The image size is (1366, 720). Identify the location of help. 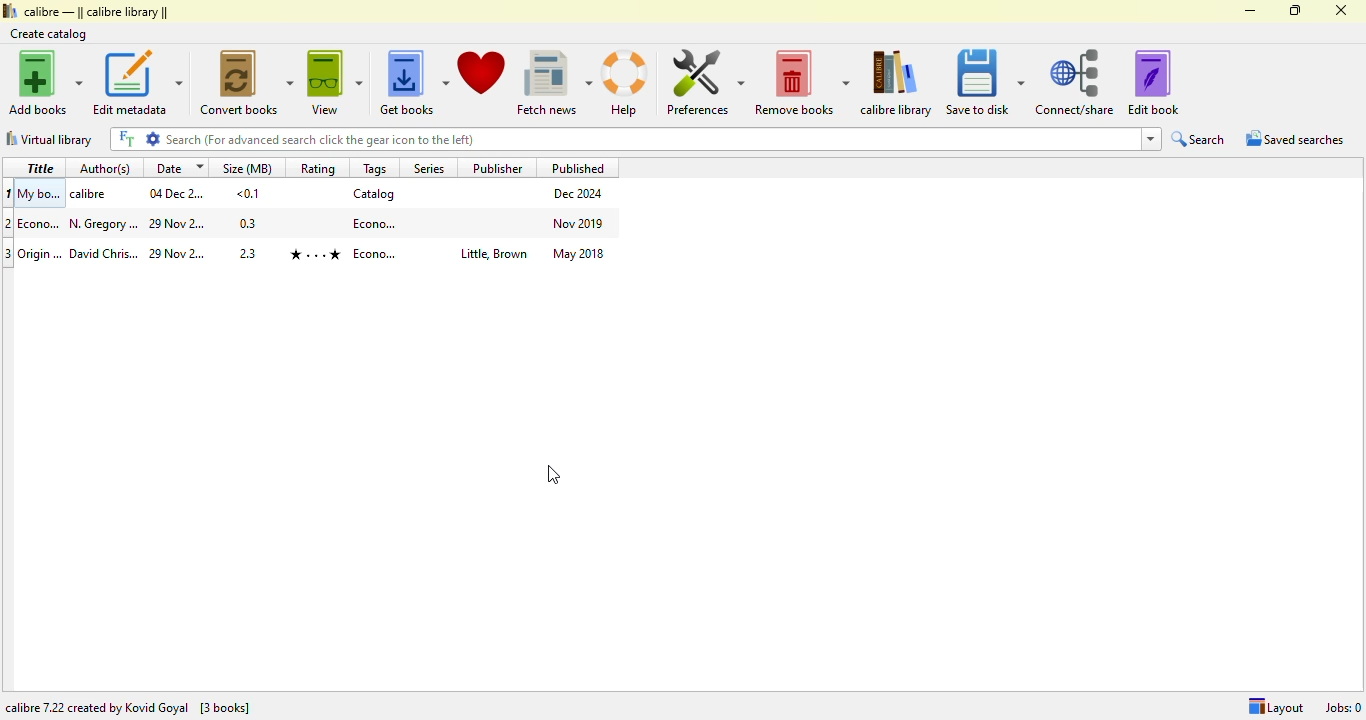
(626, 82).